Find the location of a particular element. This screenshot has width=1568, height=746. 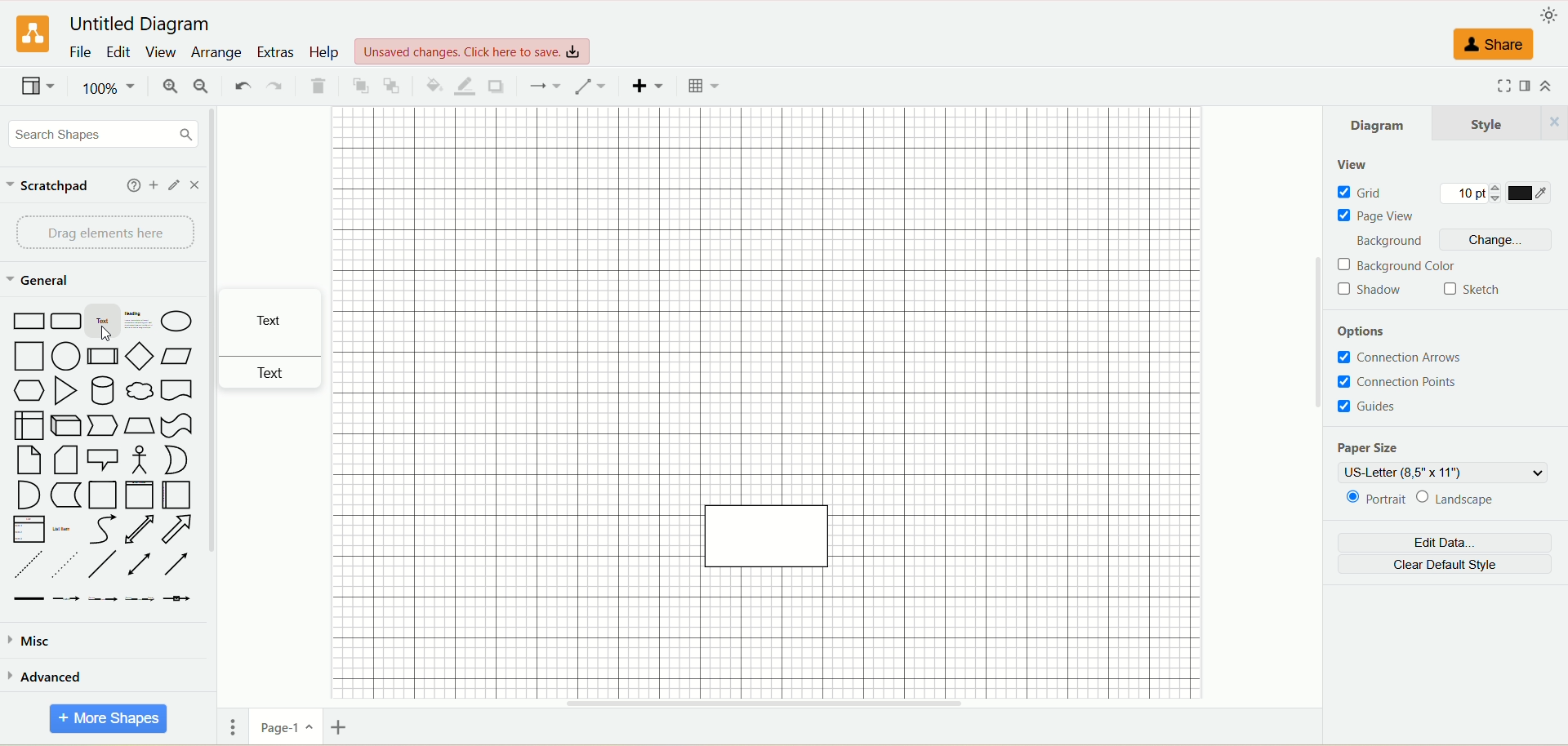

bidirectional connector is located at coordinates (142, 564).